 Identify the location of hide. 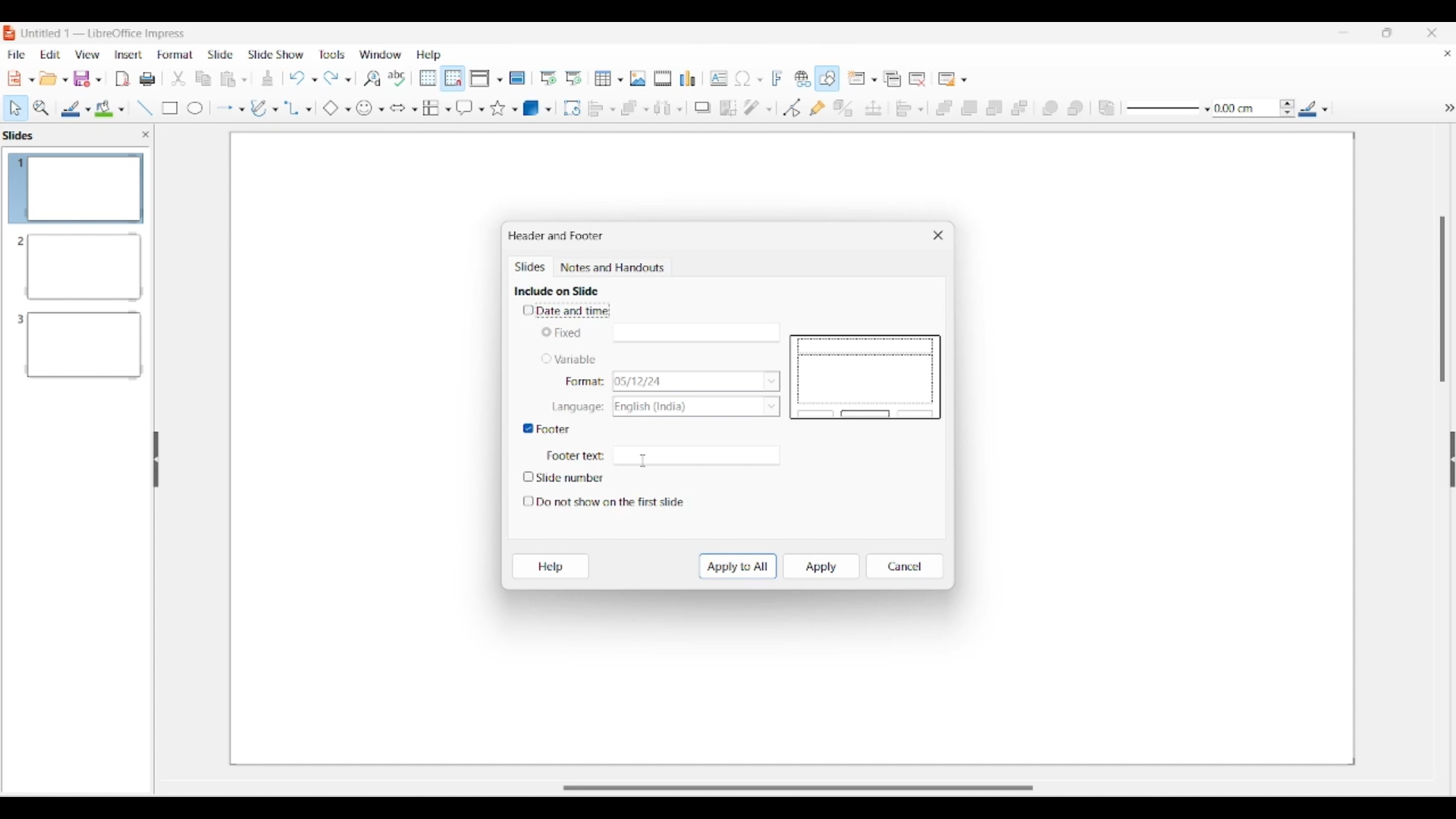
(1445, 101).